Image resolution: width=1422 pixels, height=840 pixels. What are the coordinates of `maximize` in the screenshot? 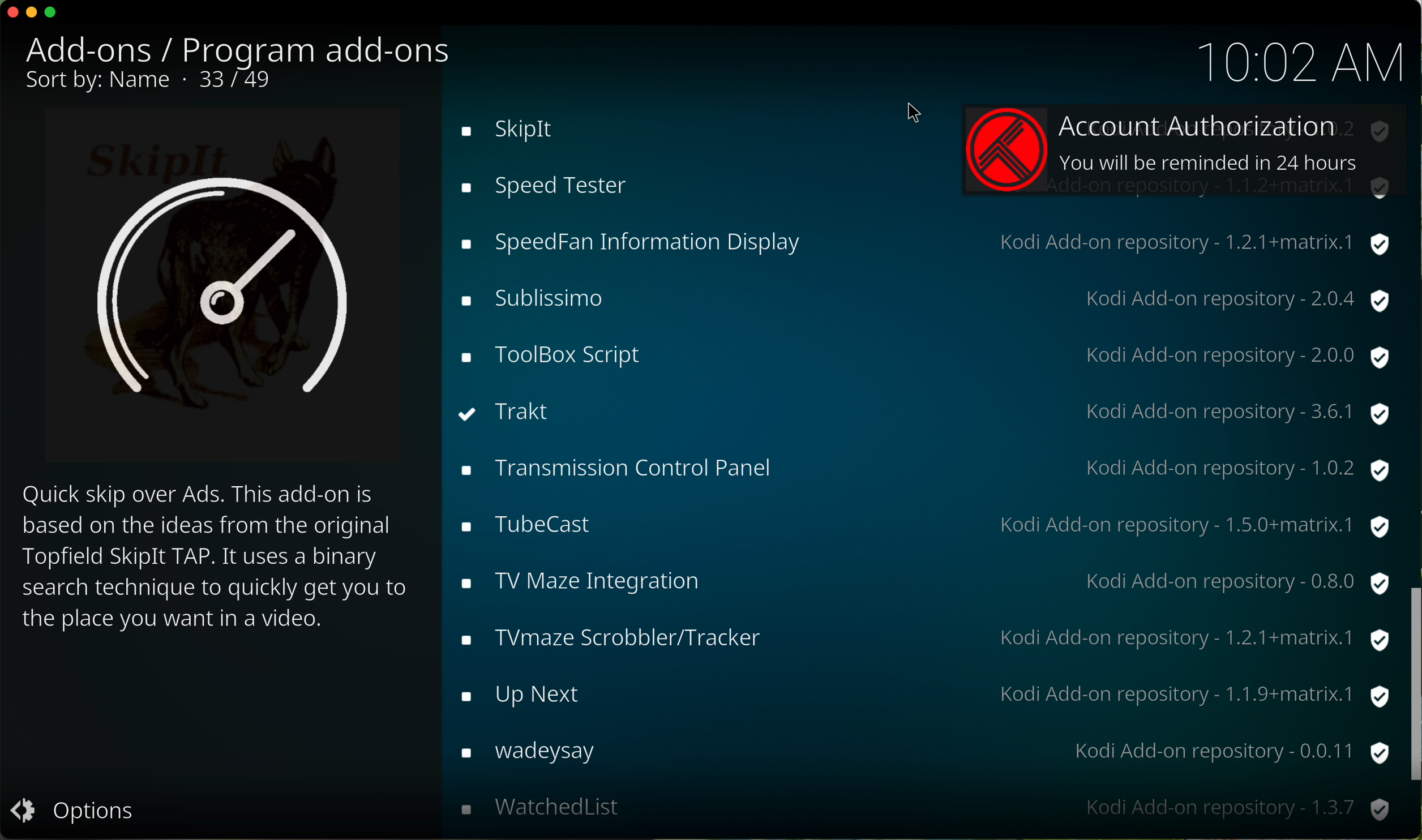 It's located at (52, 14).